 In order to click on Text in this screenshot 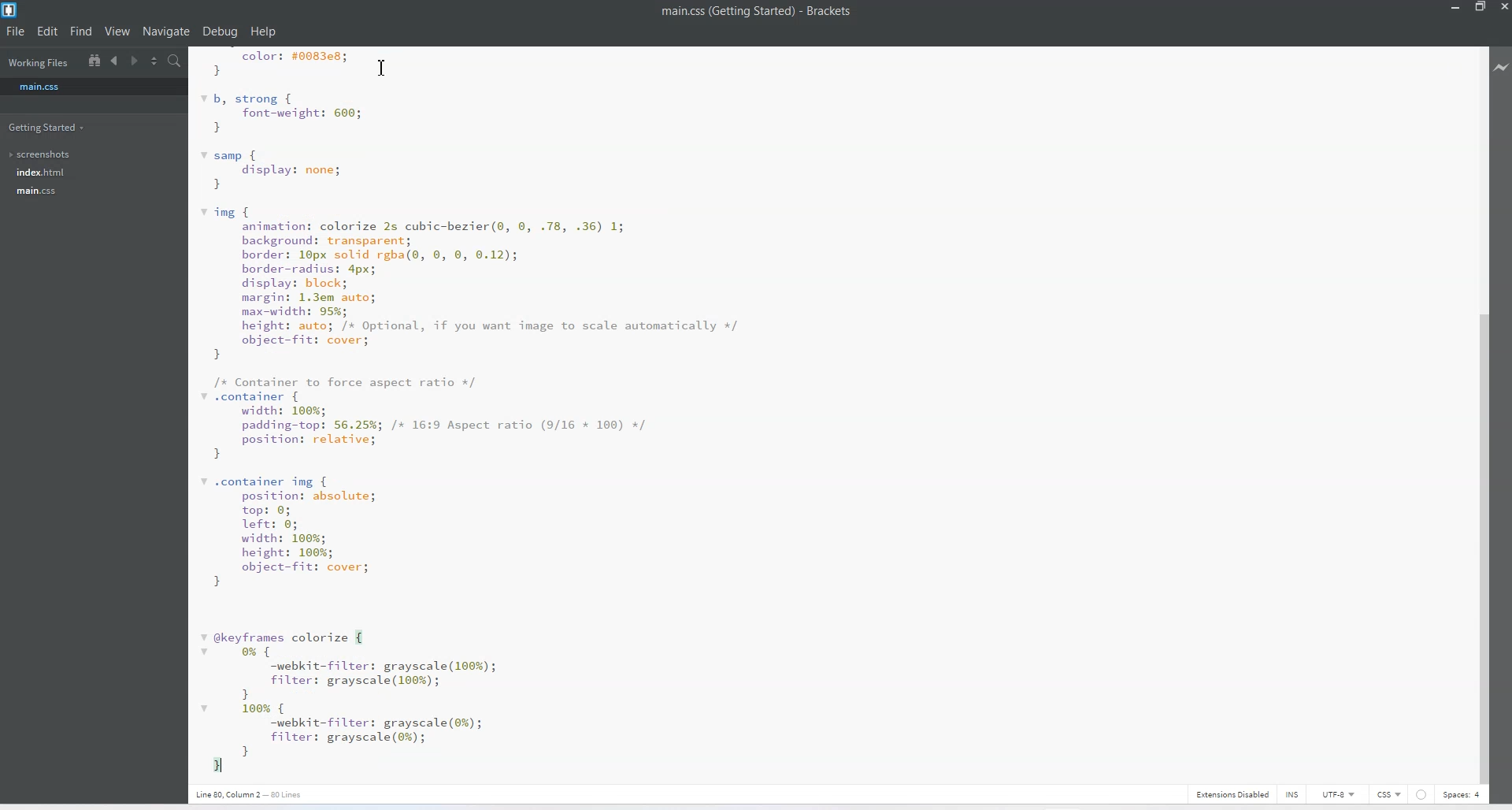, I will do `click(514, 414)`.